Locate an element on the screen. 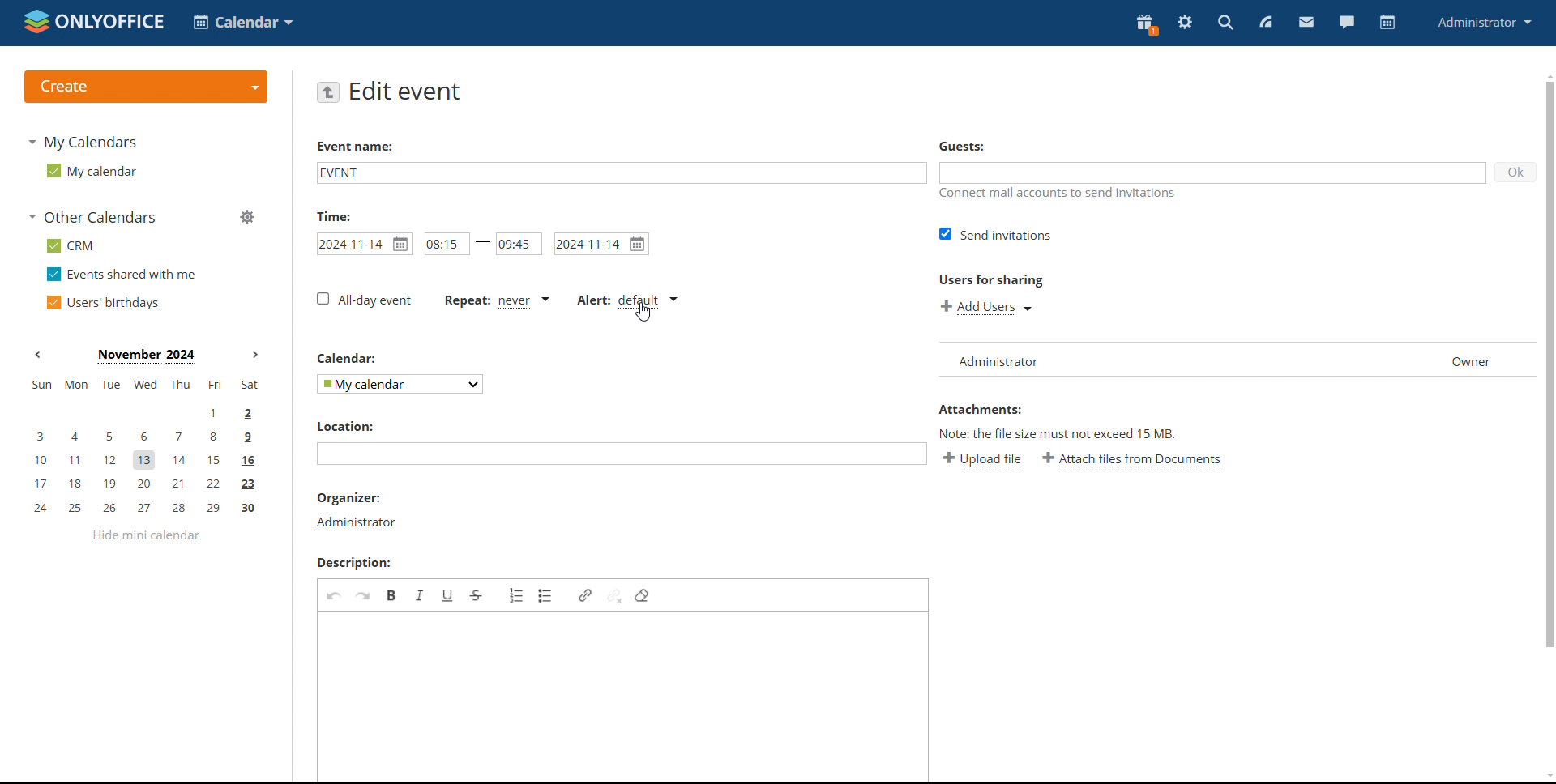 This screenshot has height=784, width=1556. note about file size exceeding  is located at coordinates (1062, 435).